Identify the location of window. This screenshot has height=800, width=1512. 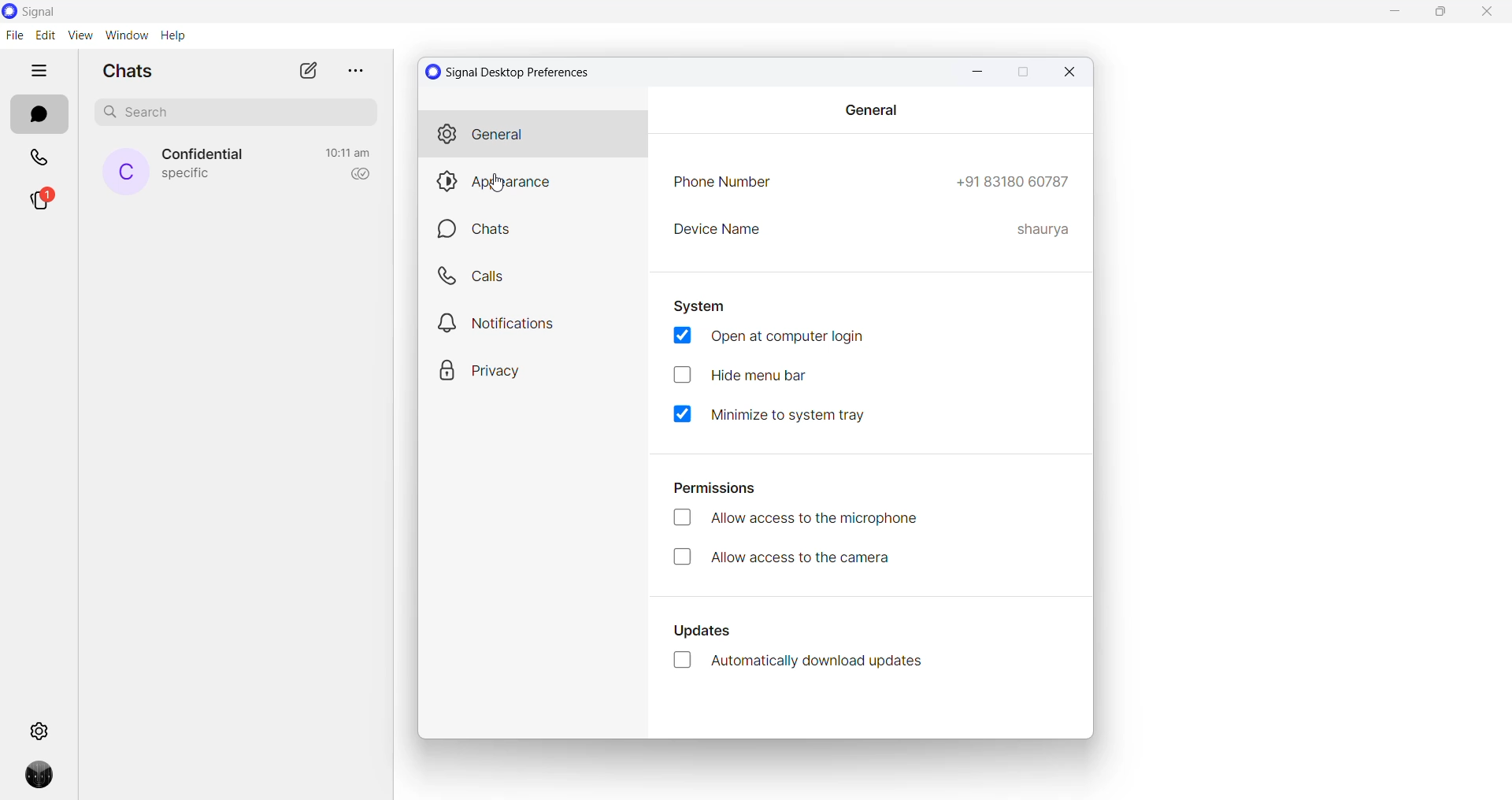
(126, 35).